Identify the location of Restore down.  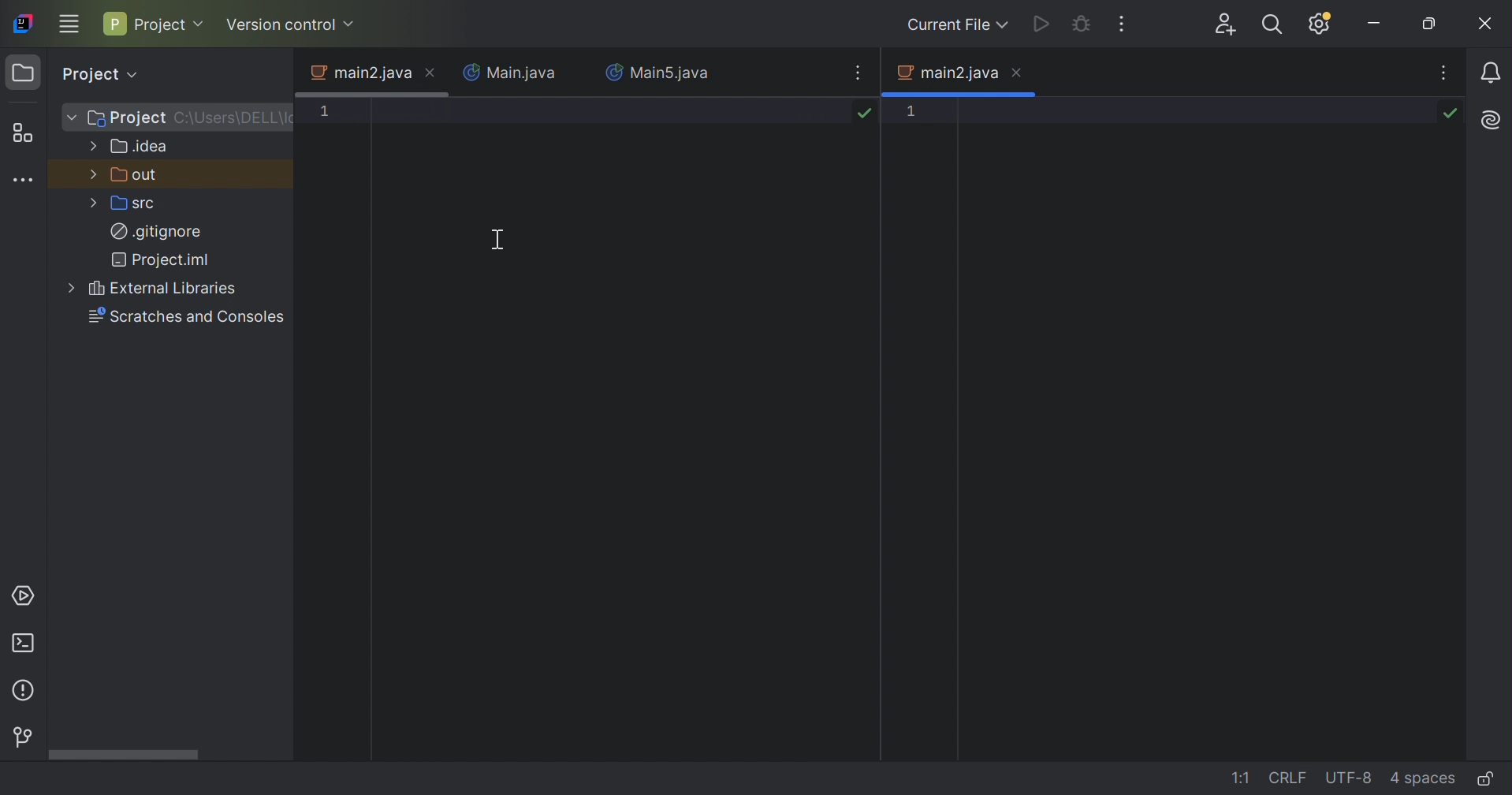
(1431, 24).